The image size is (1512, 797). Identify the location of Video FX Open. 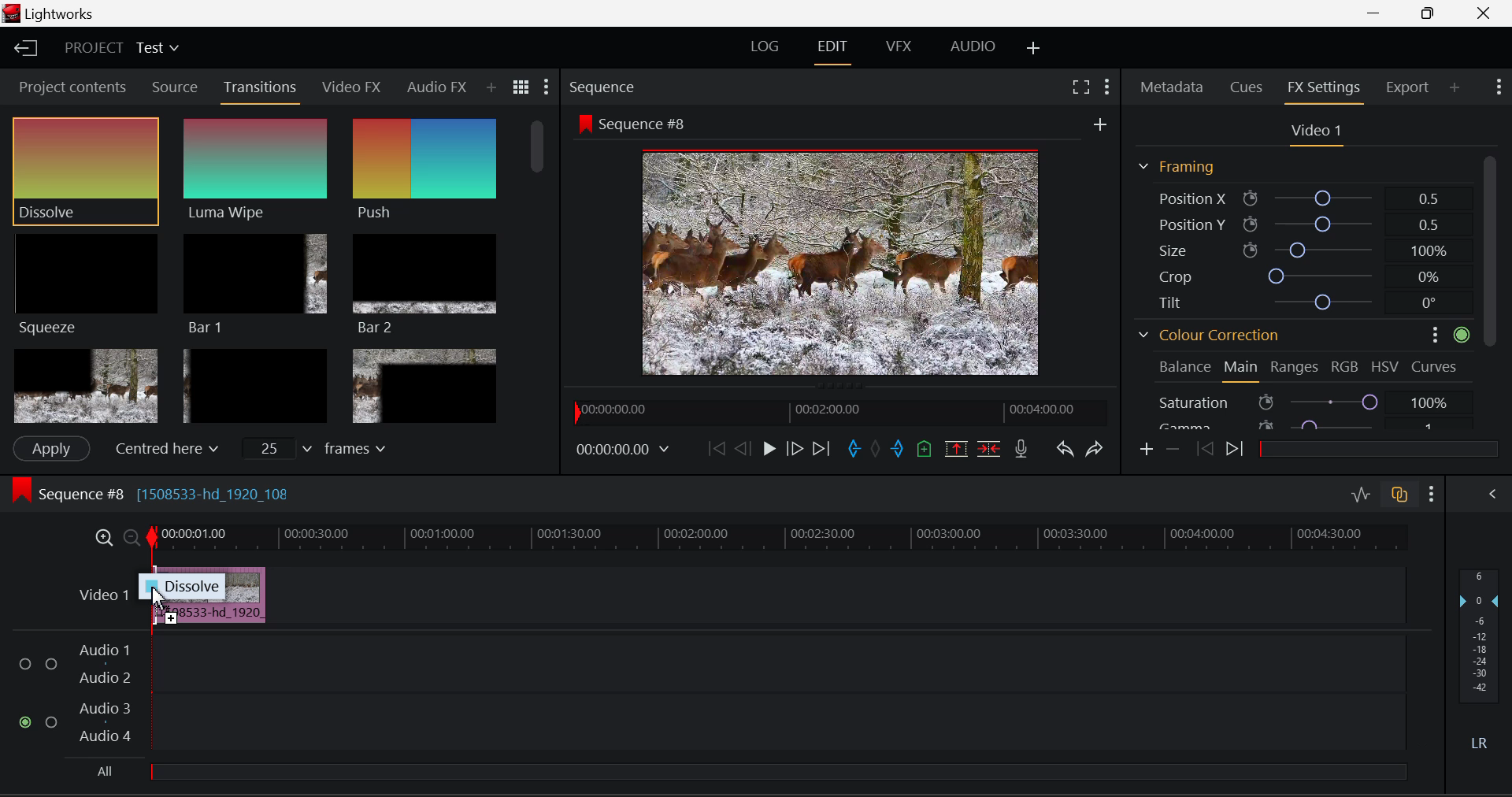
(353, 91).